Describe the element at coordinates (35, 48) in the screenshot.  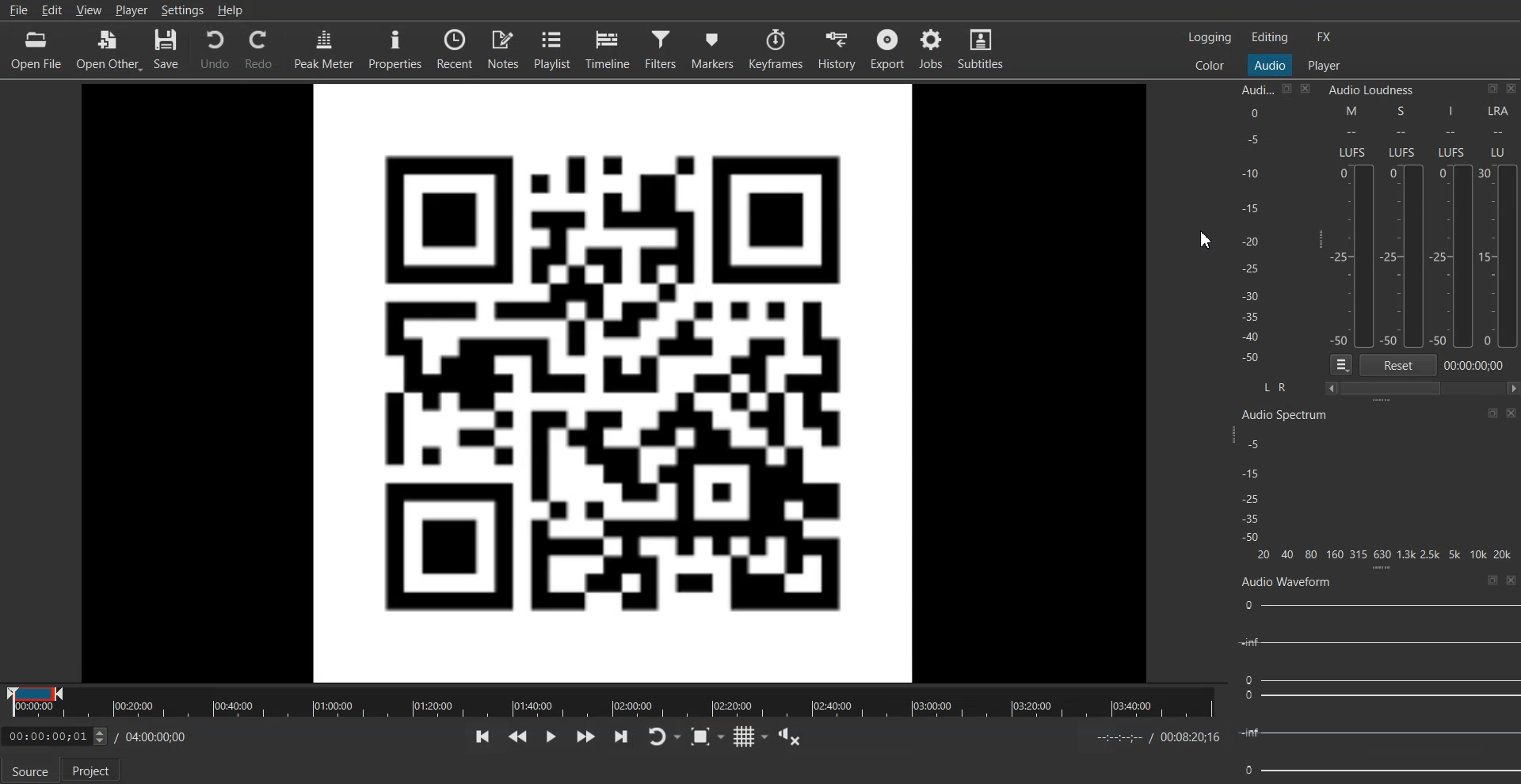
I see `Open File` at that location.